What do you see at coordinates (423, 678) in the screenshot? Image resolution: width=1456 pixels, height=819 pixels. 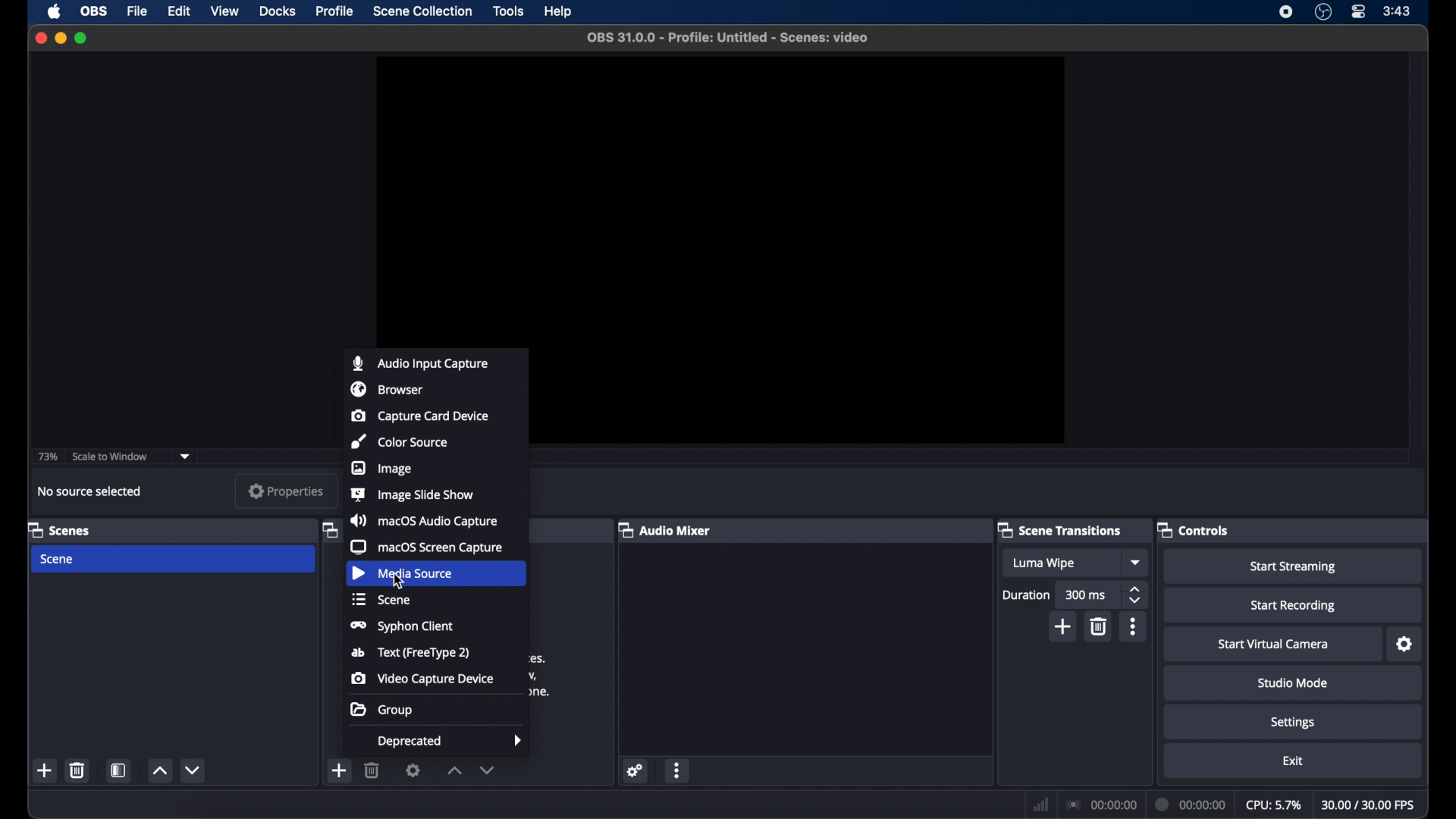 I see `video capture device` at bounding box center [423, 678].